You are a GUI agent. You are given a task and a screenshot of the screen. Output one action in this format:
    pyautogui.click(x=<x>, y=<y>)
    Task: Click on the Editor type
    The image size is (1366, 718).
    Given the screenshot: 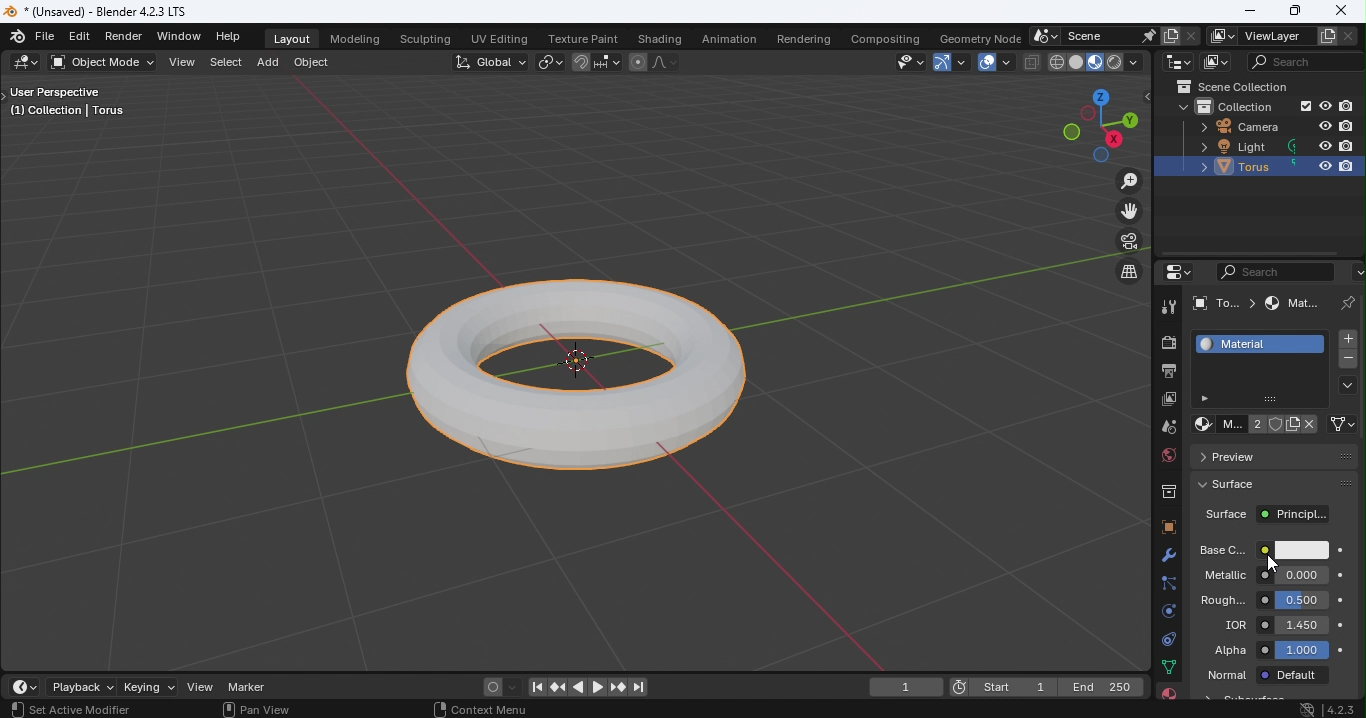 What is the action you would take?
    pyautogui.click(x=25, y=687)
    